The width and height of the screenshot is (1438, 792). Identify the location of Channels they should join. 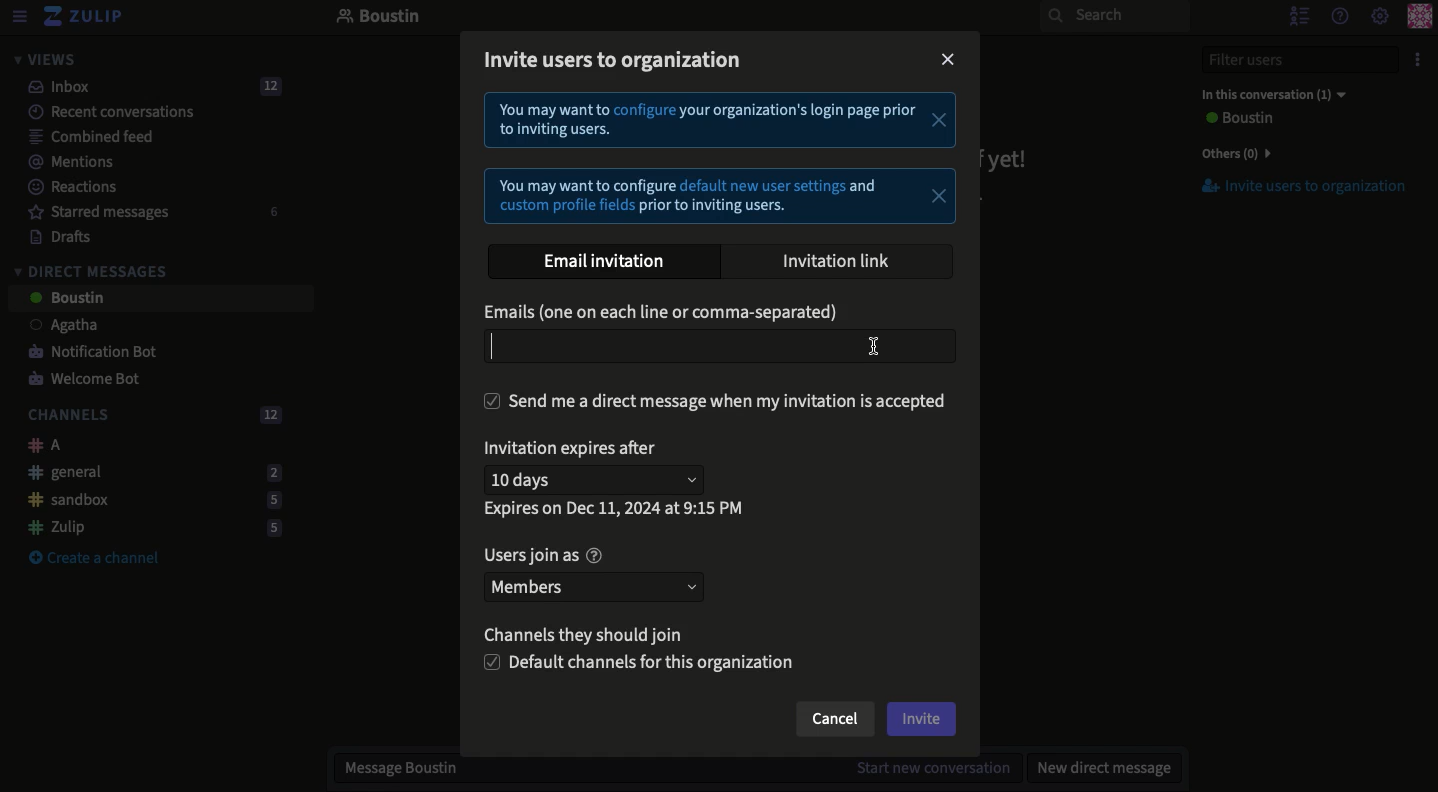
(594, 638).